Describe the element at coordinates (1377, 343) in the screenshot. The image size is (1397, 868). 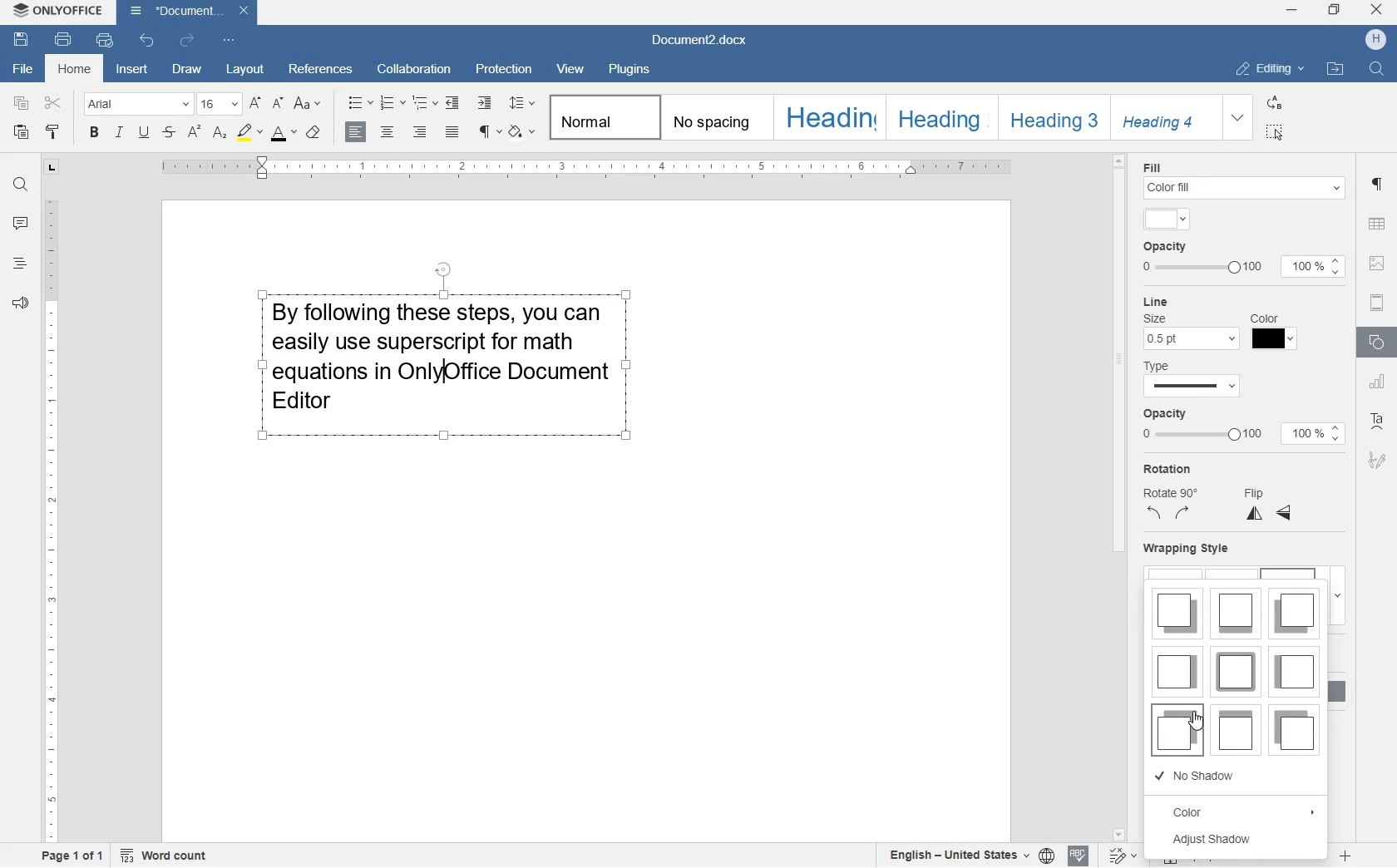
I see `shape settings` at that location.